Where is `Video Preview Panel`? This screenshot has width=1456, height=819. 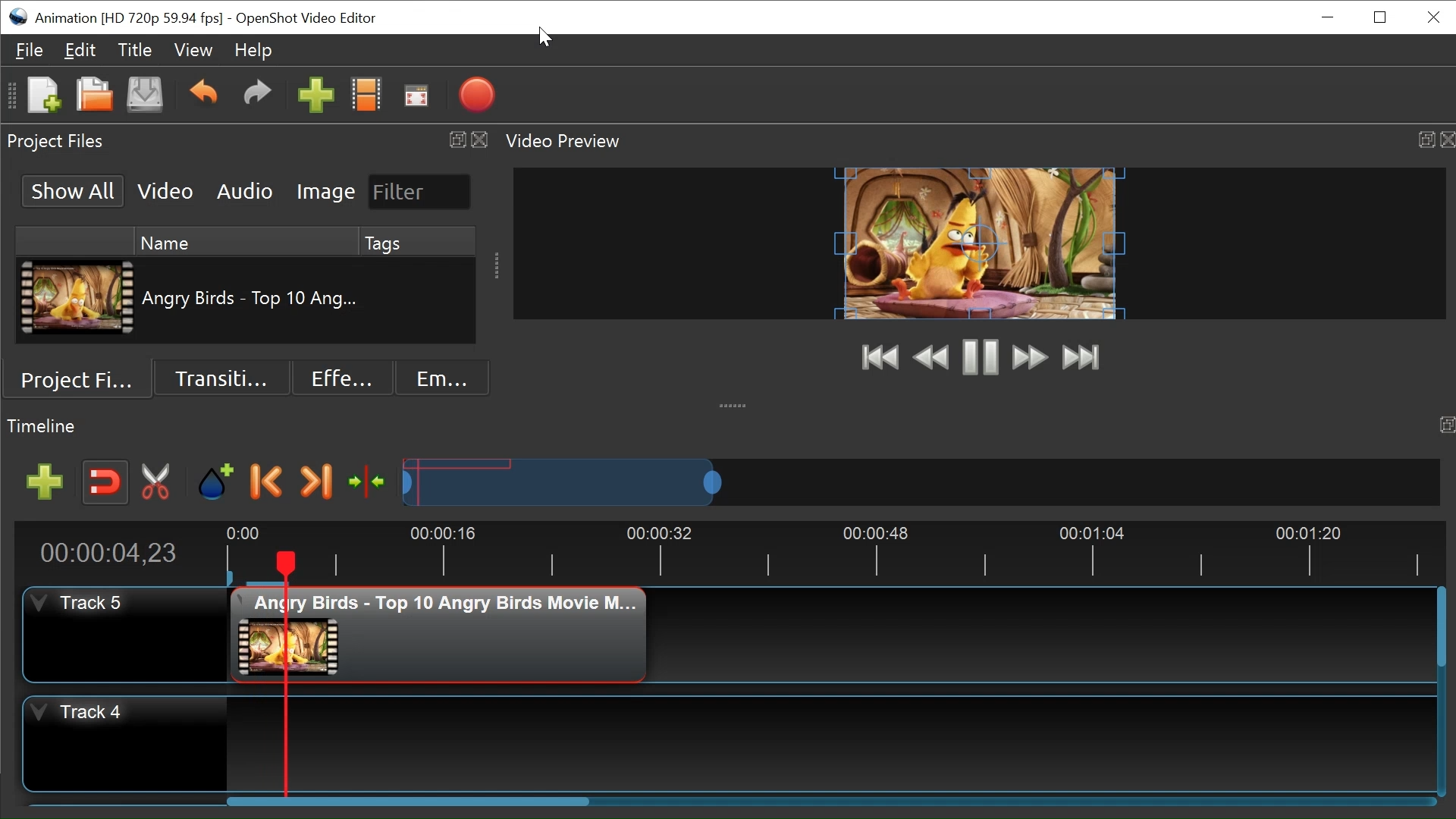 Video Preview Panel is located at coordinates (977, 141).